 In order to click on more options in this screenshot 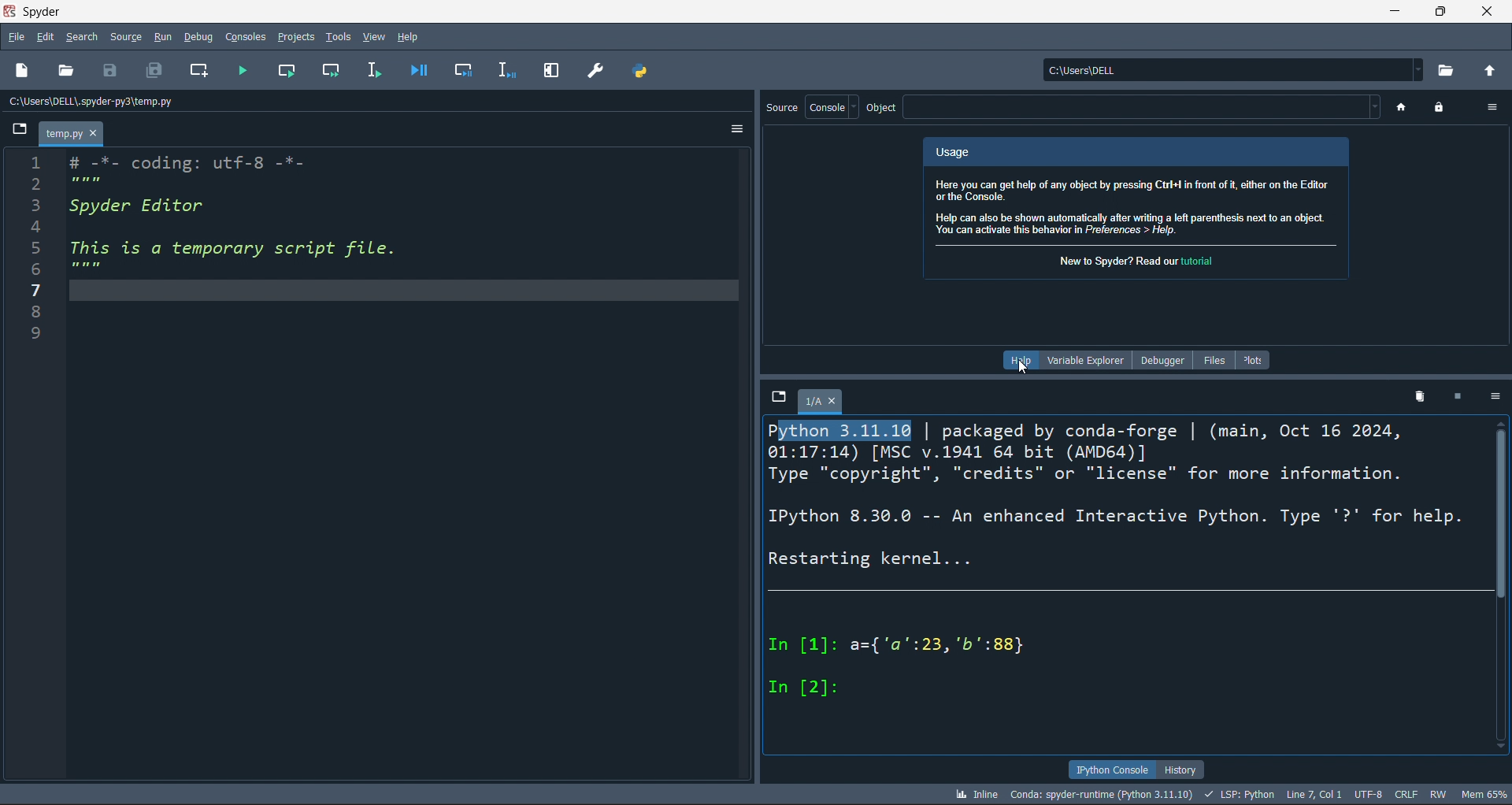, I will do `click(1494, 400)`.